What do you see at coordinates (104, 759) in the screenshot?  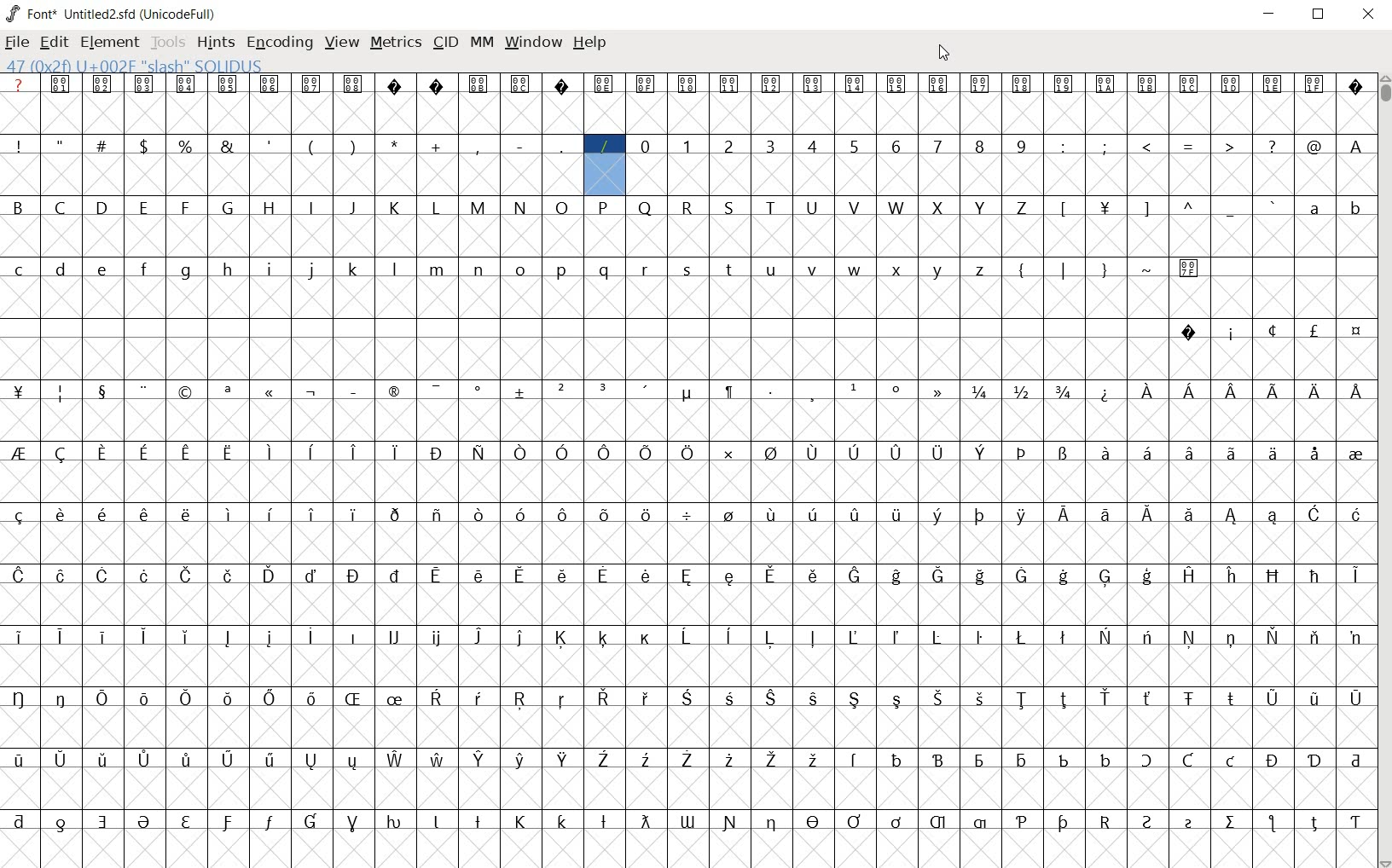 I see `glyph` at bounding box center [104, 759].